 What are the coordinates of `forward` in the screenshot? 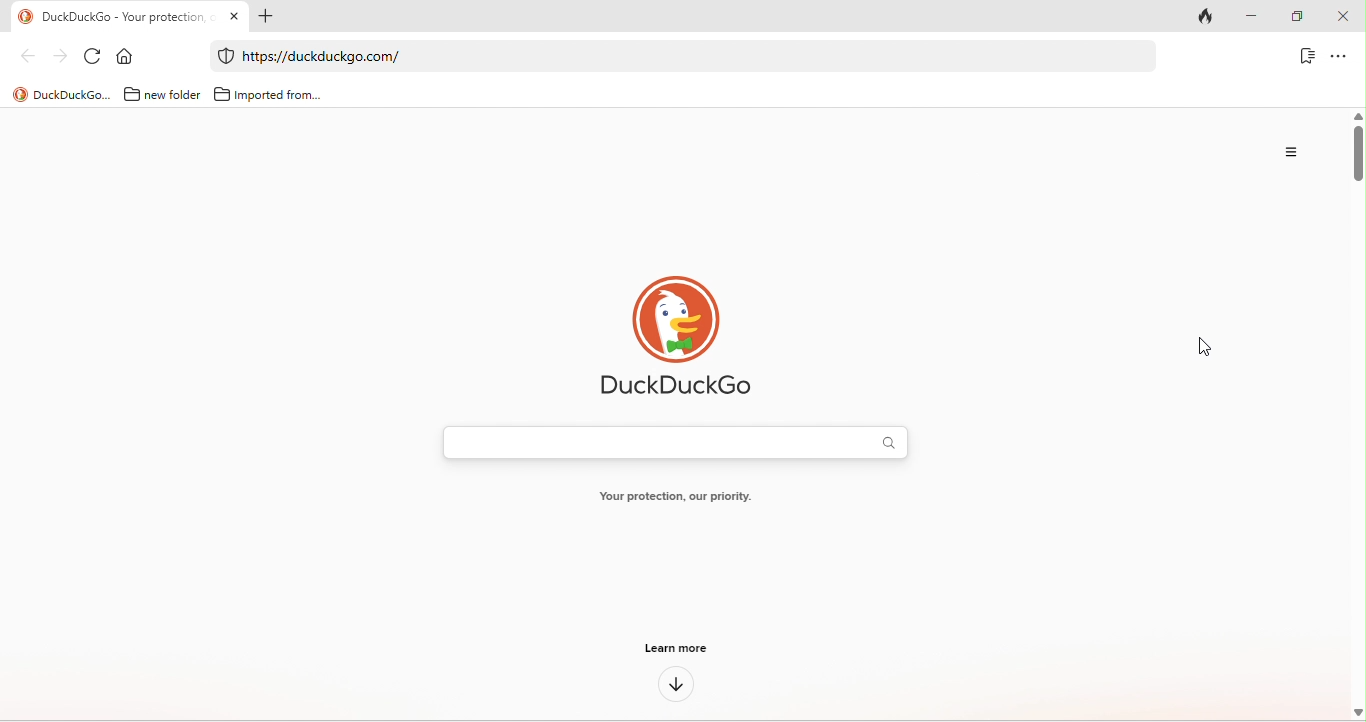 It's located at (56, 55).